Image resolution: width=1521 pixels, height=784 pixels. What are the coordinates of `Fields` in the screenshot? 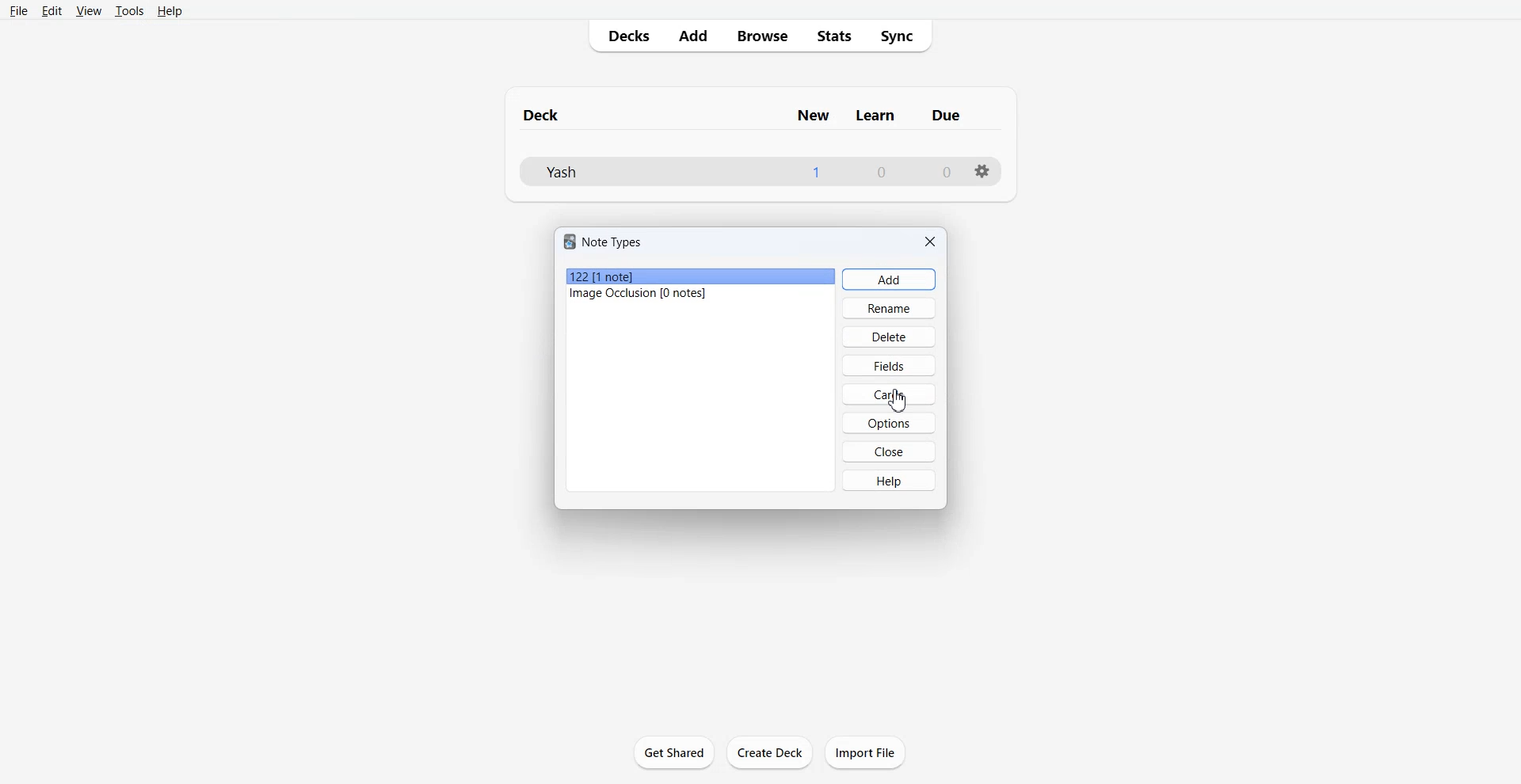 It's located at (888, 365).